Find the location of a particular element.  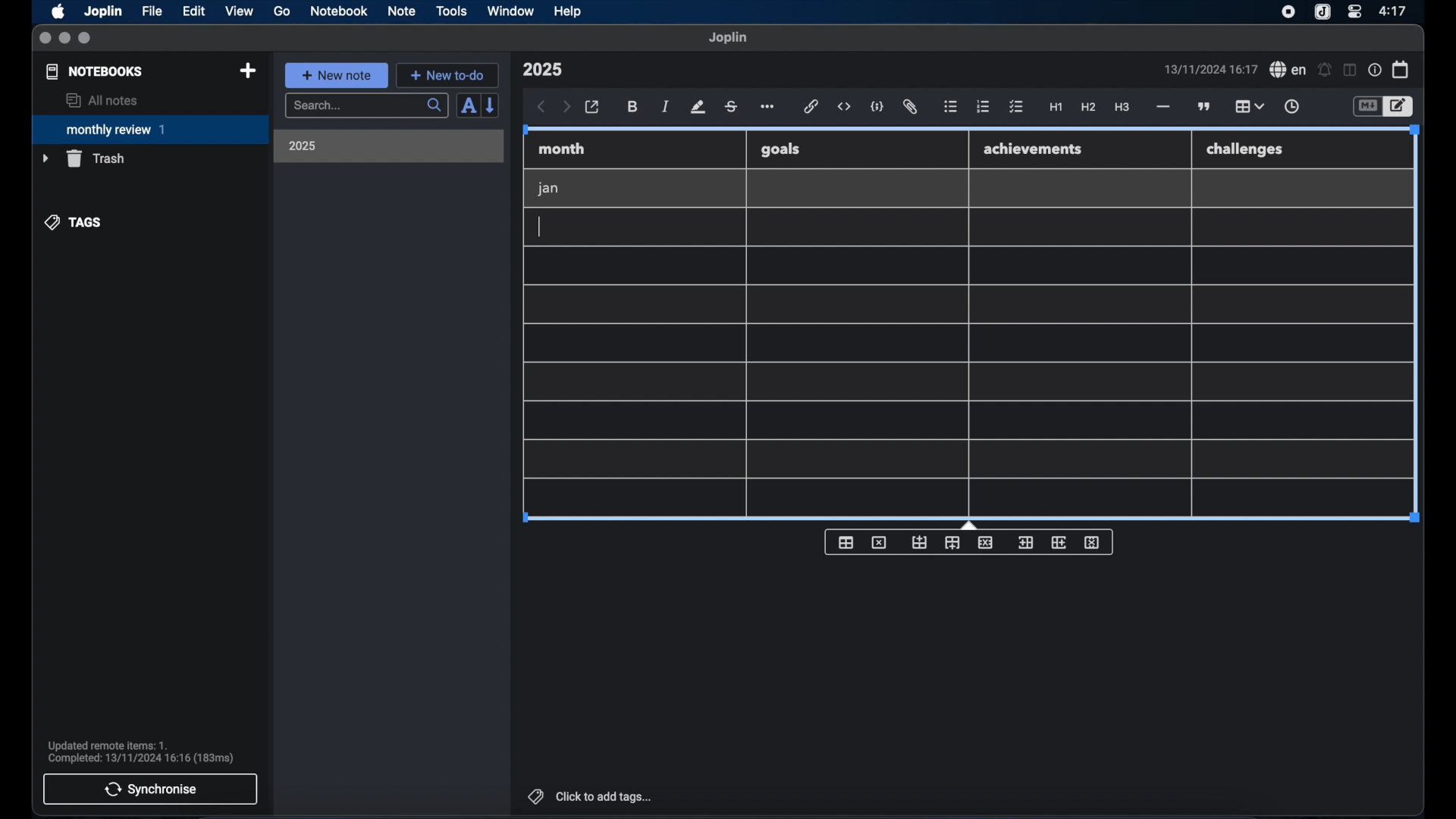

insert row before is located at coordinates (920, 543).